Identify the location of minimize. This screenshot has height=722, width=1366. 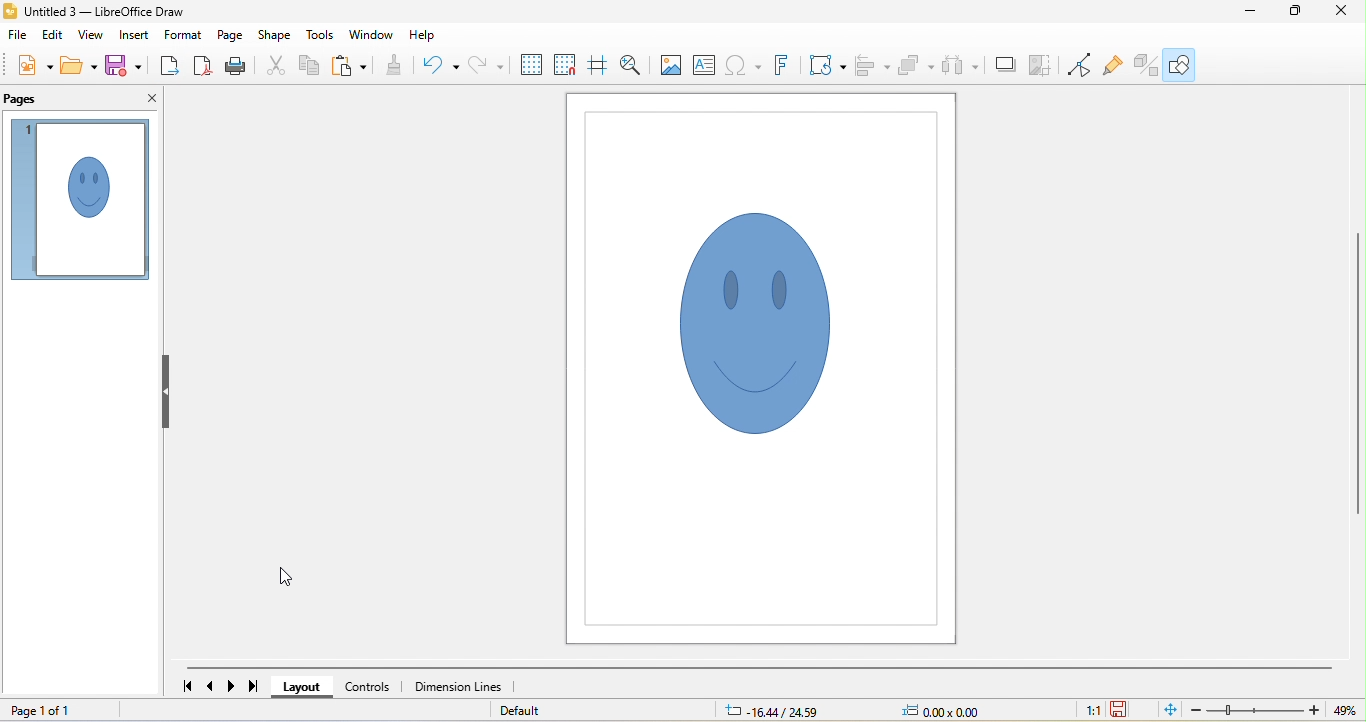
(1251, 11).